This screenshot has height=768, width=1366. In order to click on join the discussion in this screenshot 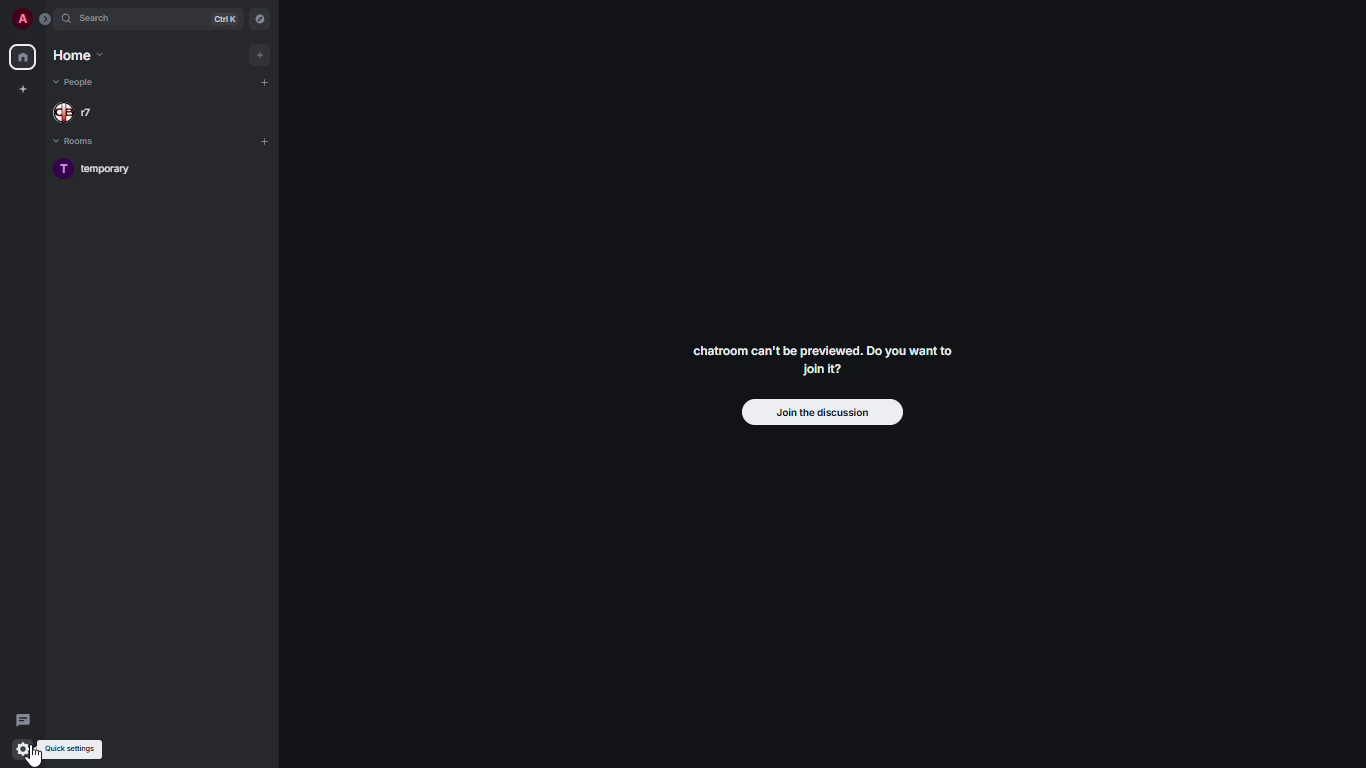, I will do `click(824, 413)`.